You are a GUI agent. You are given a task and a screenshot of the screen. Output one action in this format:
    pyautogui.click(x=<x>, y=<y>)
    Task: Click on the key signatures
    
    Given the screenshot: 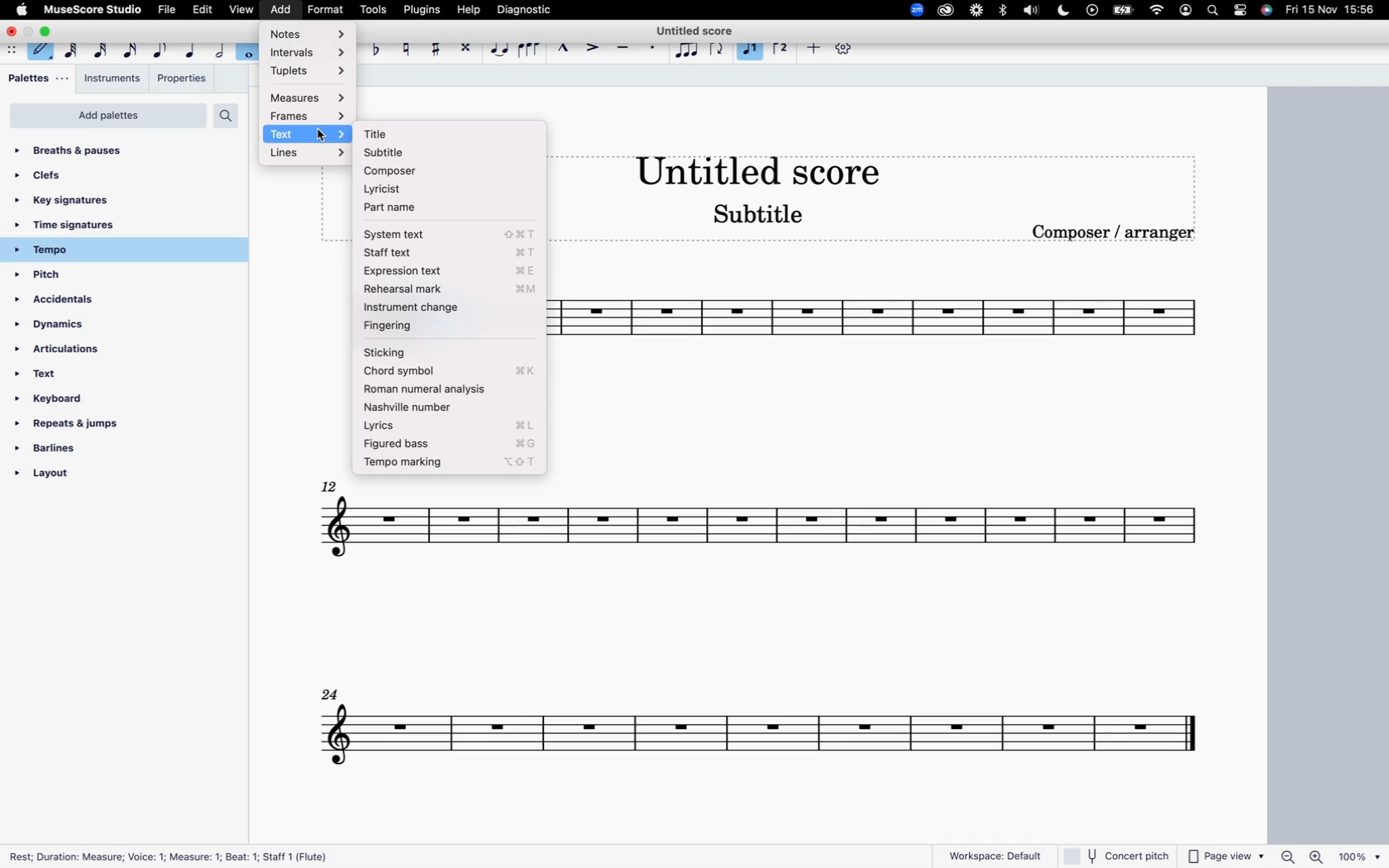 What is the action you would take?
    pyautogui.click(x=109, y=202)
    